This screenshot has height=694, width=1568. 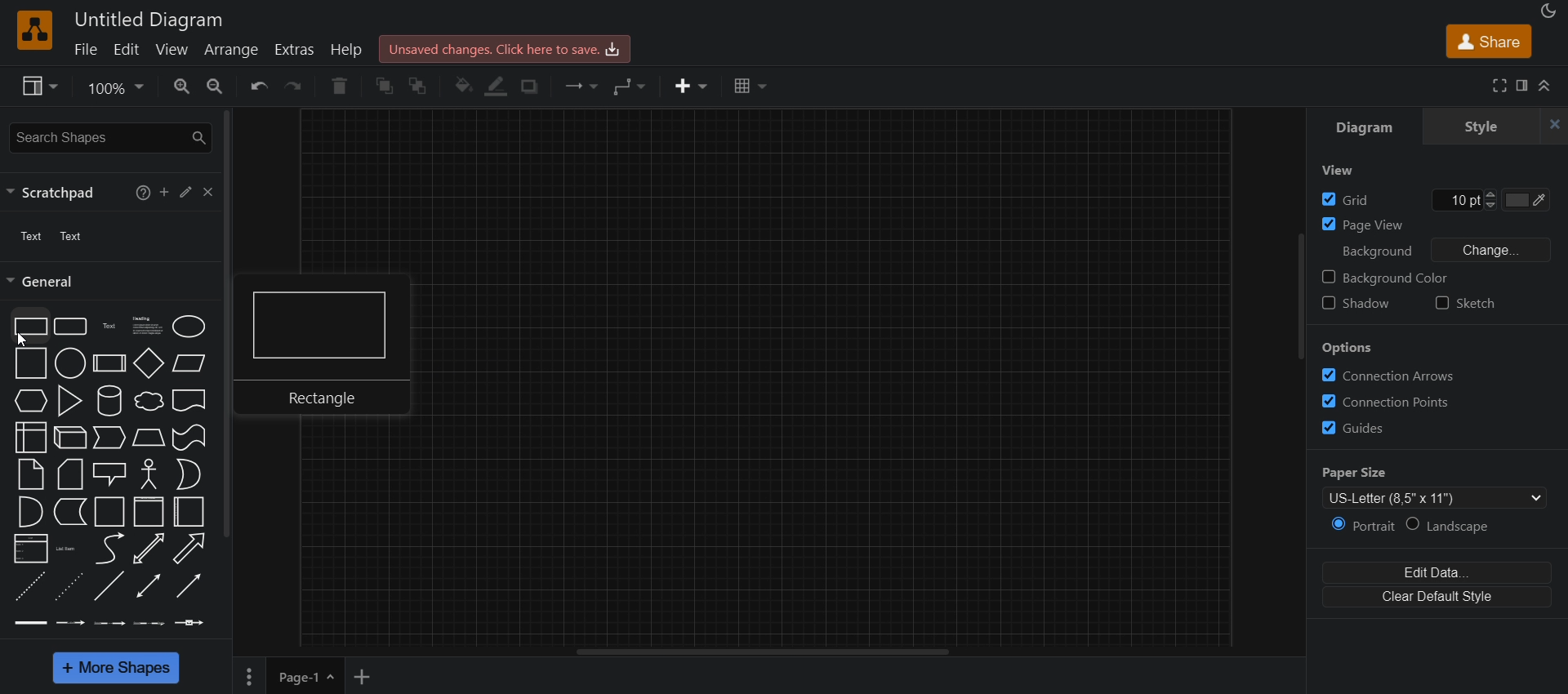 What do you see at coordinates (1392, 400) in the screenshot?
I see `connection points` at bounding box center [1392, 400].